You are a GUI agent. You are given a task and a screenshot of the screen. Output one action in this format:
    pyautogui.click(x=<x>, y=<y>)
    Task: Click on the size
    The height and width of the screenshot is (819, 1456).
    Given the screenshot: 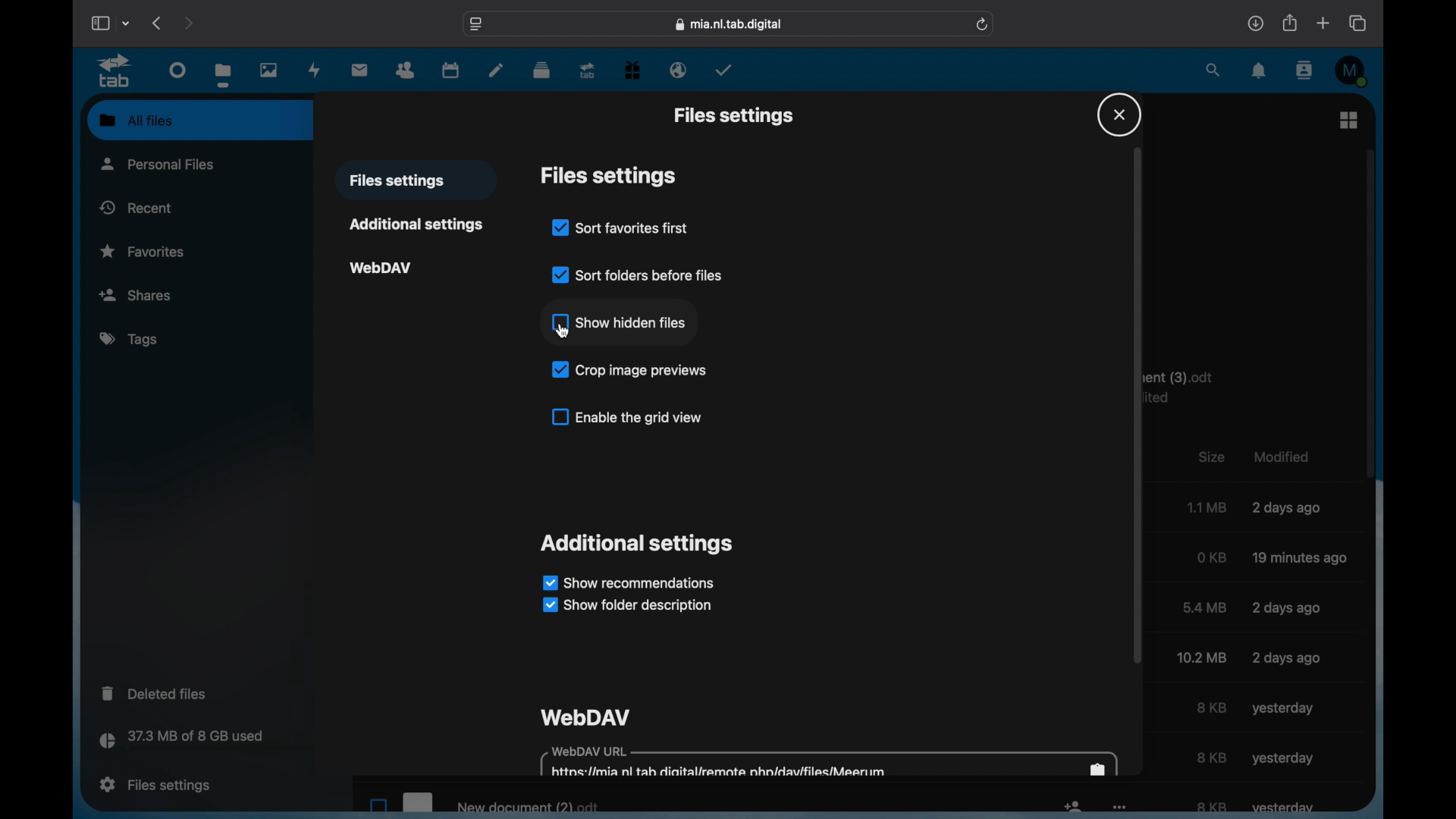 What is the action you would take?
    pyautogui.click(x=1205, y=607)
    